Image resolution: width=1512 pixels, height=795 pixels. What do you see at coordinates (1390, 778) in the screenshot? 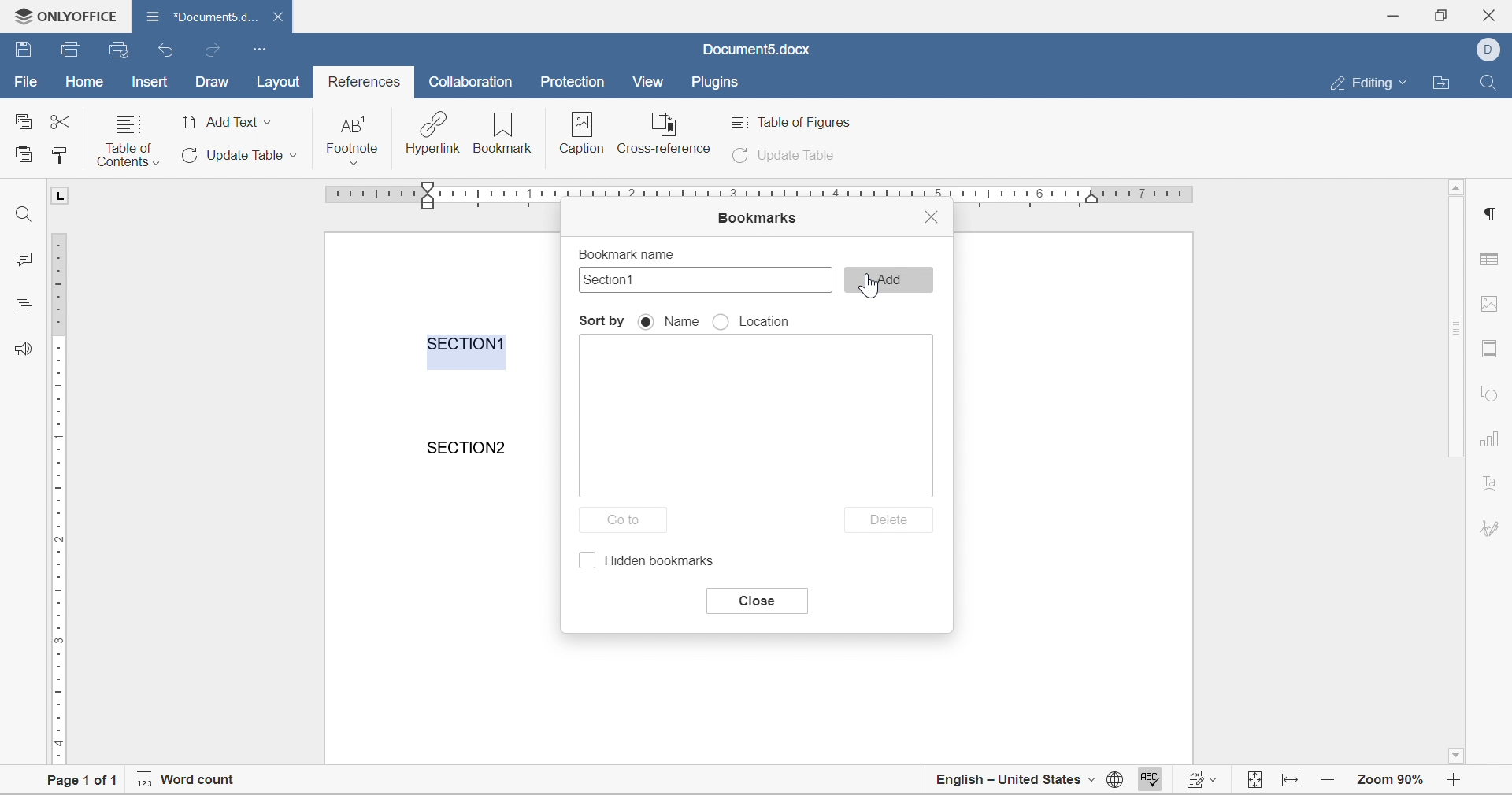
I see `zoom 90%` at bounding box center [1390, 778].